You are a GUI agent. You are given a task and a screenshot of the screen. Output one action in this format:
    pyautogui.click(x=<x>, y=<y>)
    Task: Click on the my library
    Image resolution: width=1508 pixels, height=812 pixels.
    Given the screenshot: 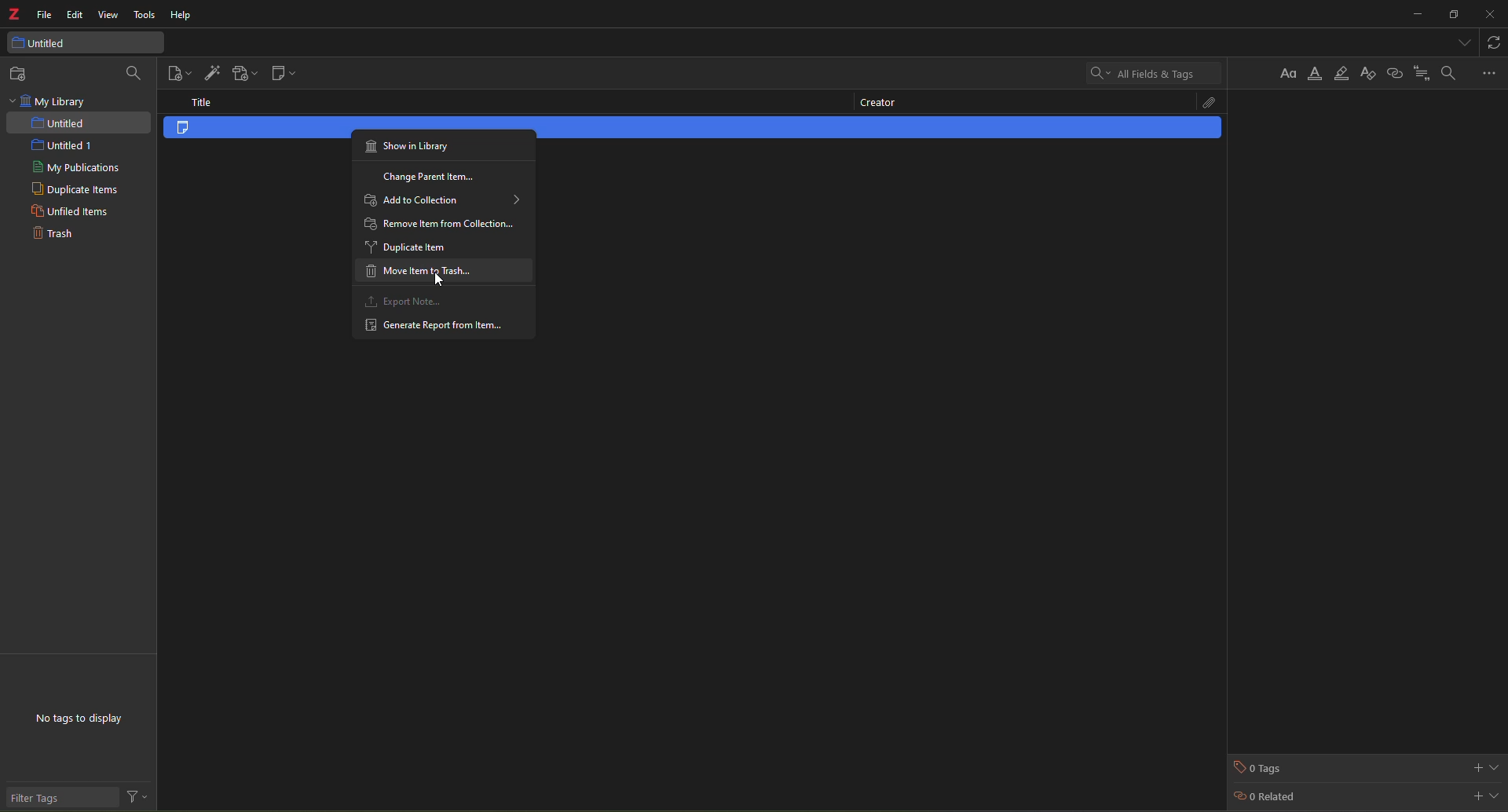 What is the action you would take?
    pyautogui.click(x=52, y=101)
    